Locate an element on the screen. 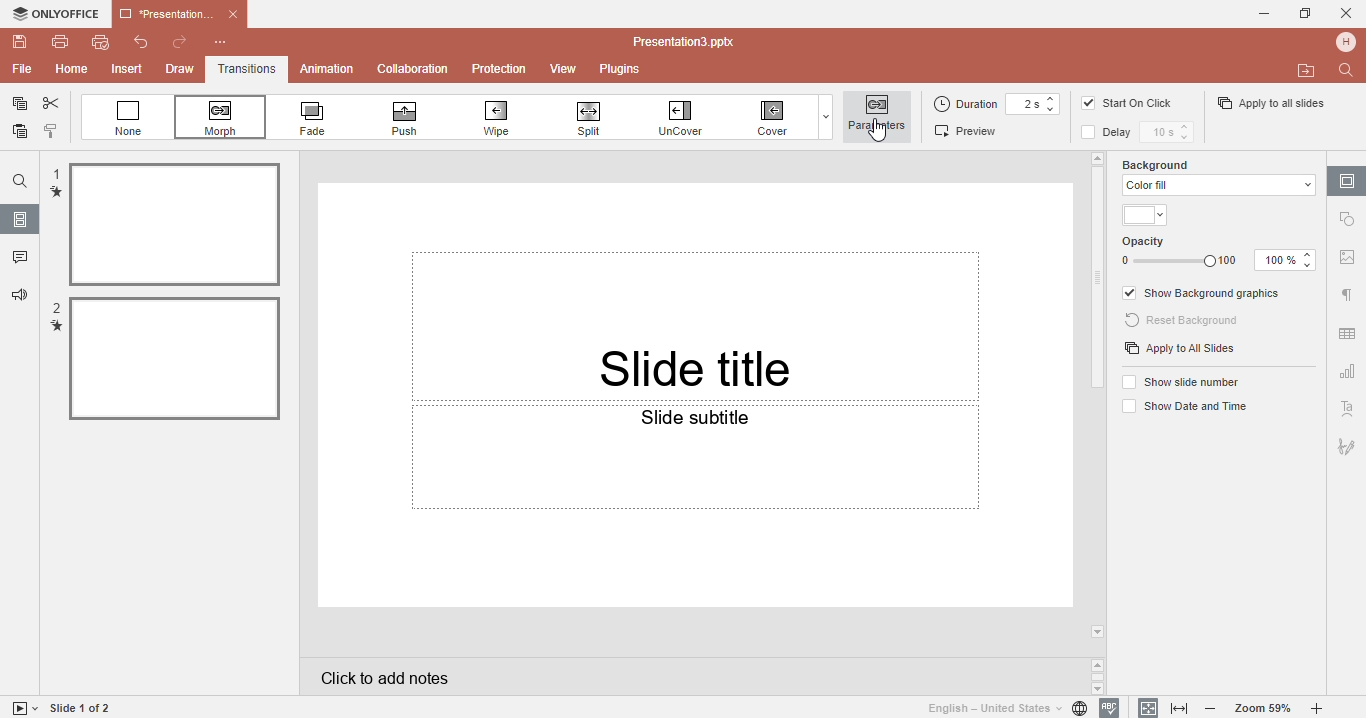  Slide settings is located at coordinates (1347, 180).